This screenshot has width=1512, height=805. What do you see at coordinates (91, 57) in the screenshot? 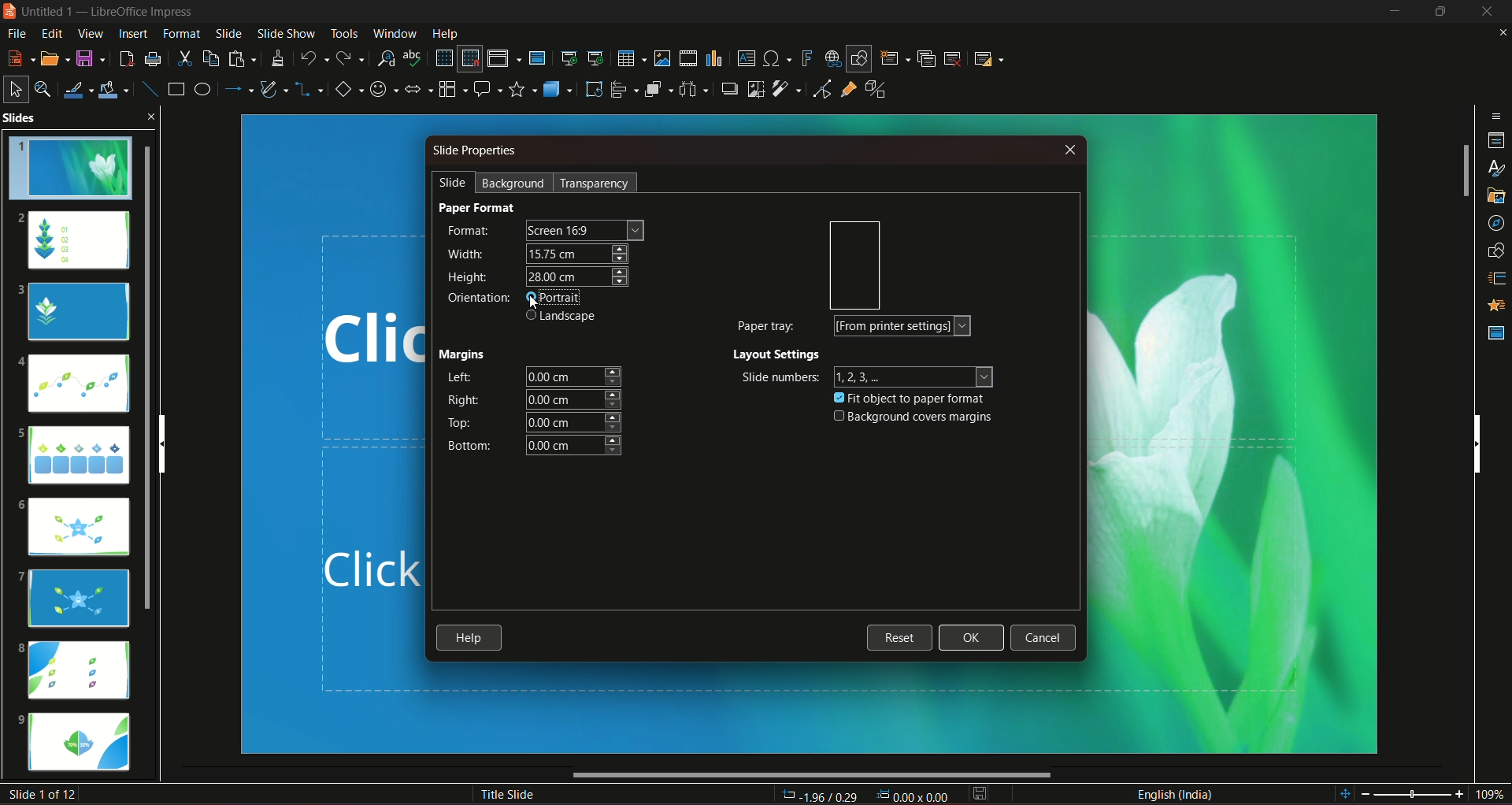
I see `save` at bounding box center [91, 57].